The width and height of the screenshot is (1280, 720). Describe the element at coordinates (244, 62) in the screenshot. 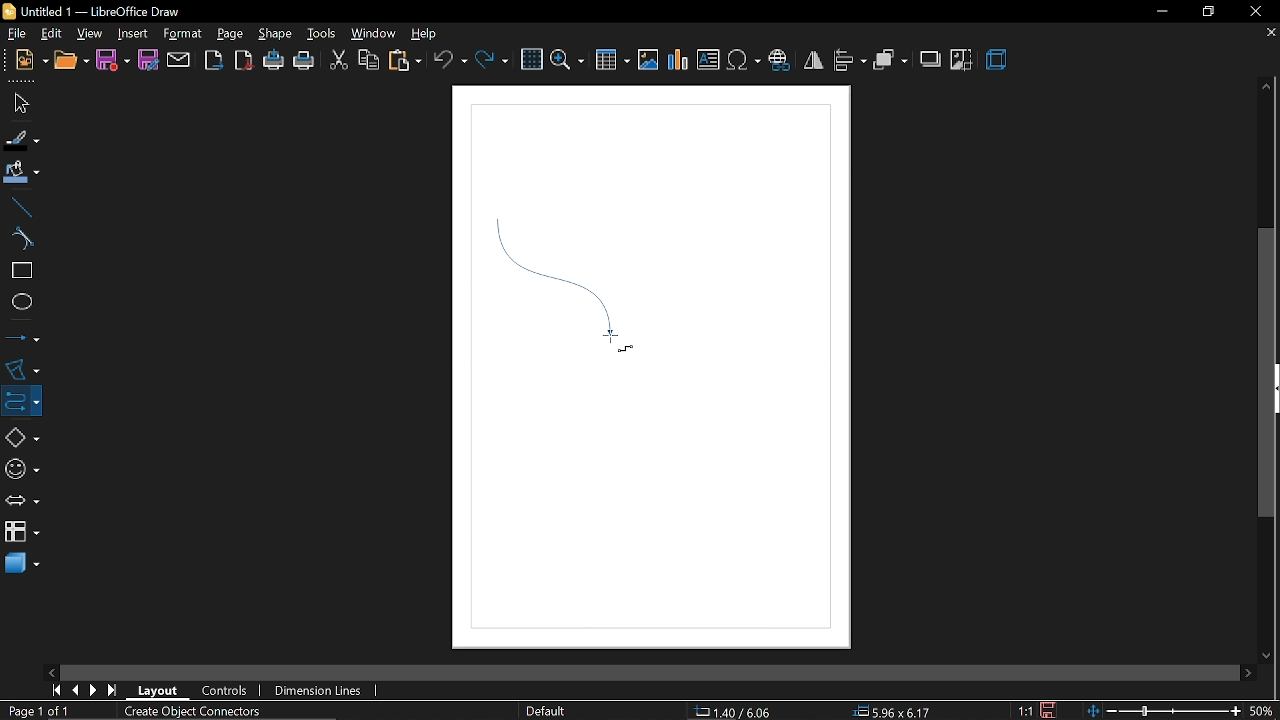

I see `export as pdf` at that location.